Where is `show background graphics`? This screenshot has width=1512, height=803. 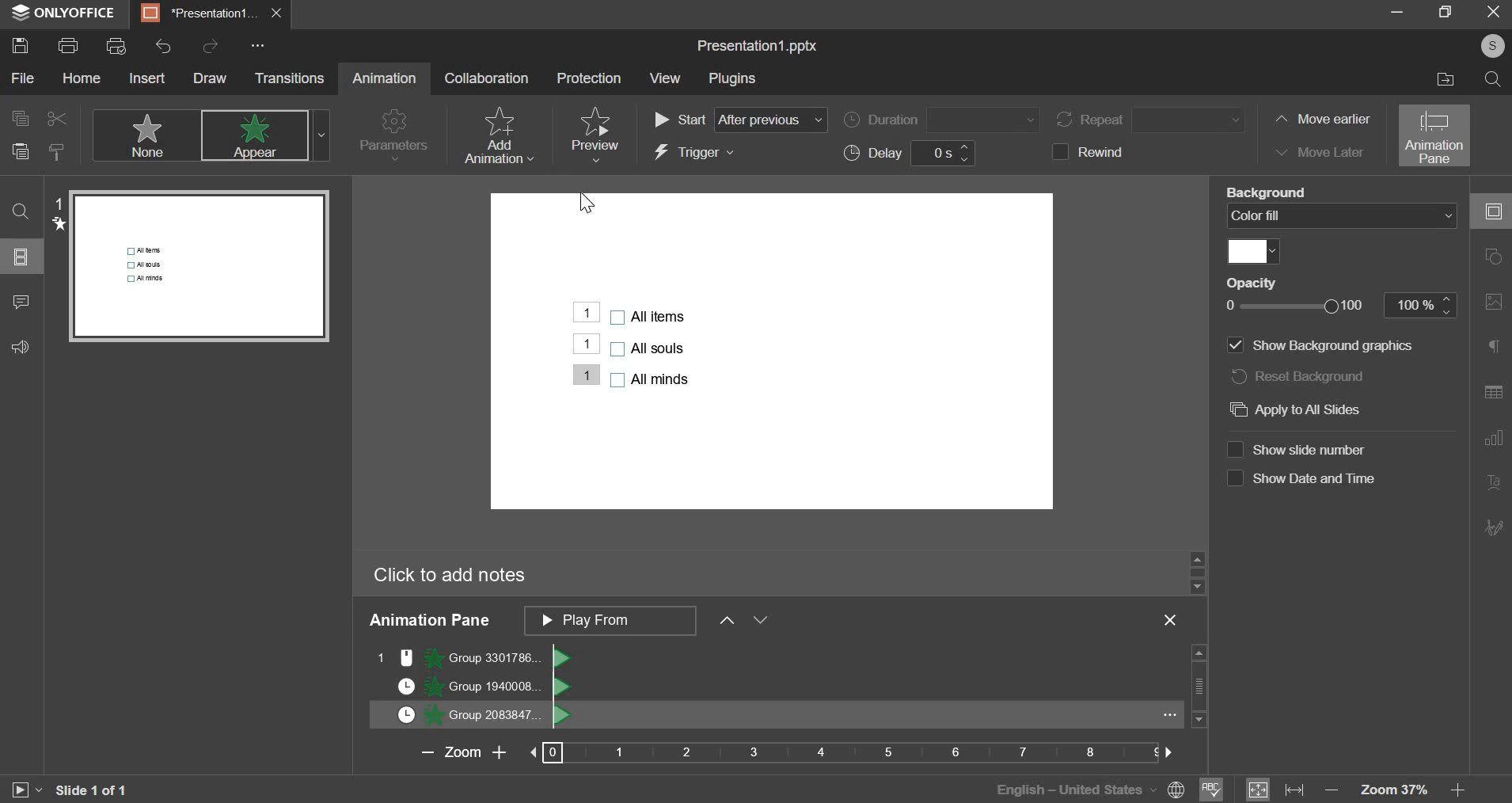 show background graphics is located at coordinates (1318, 347).